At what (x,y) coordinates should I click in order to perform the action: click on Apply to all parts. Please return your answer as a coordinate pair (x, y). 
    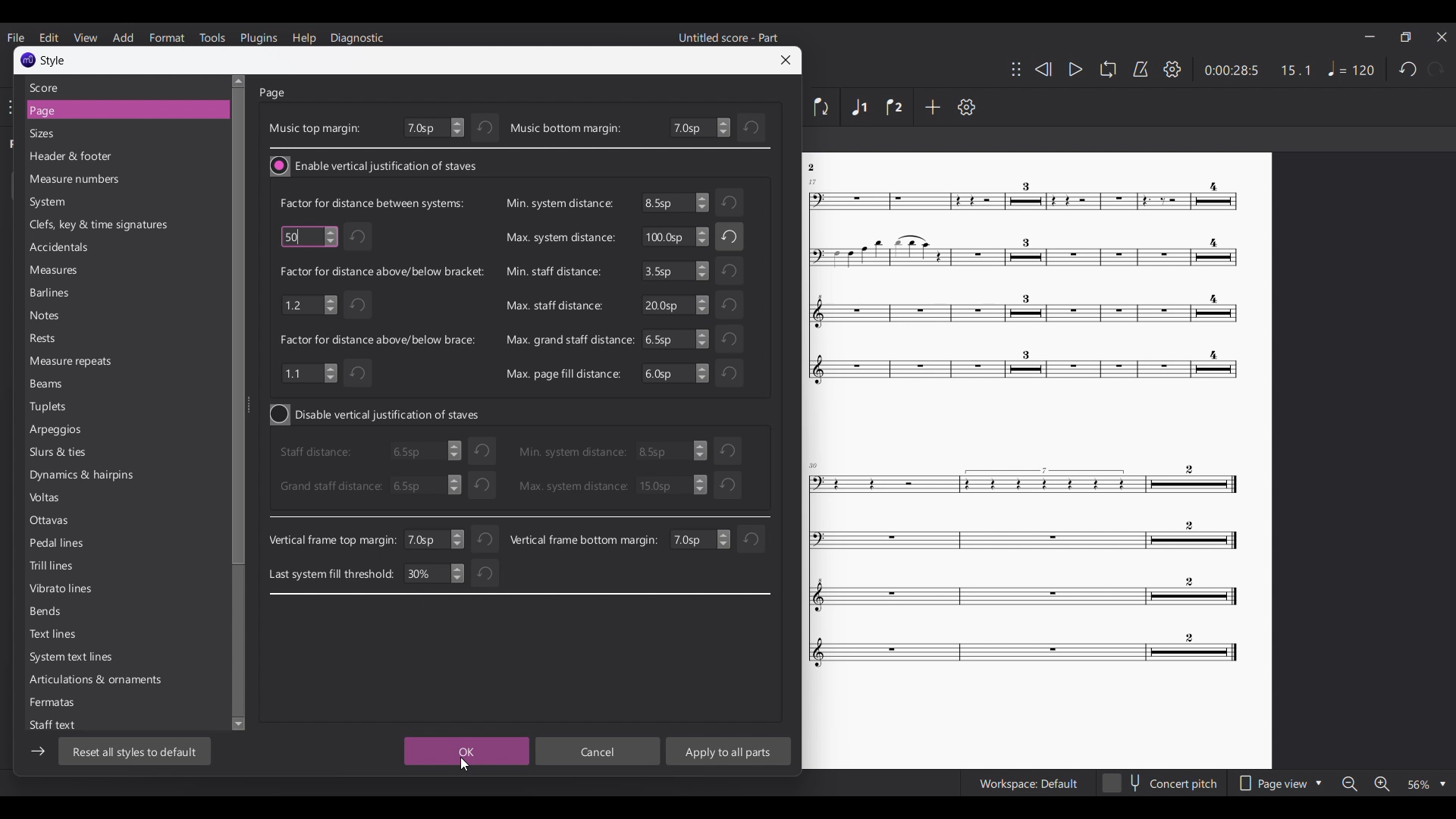
    Looking at the image, I should click on (728, 751).